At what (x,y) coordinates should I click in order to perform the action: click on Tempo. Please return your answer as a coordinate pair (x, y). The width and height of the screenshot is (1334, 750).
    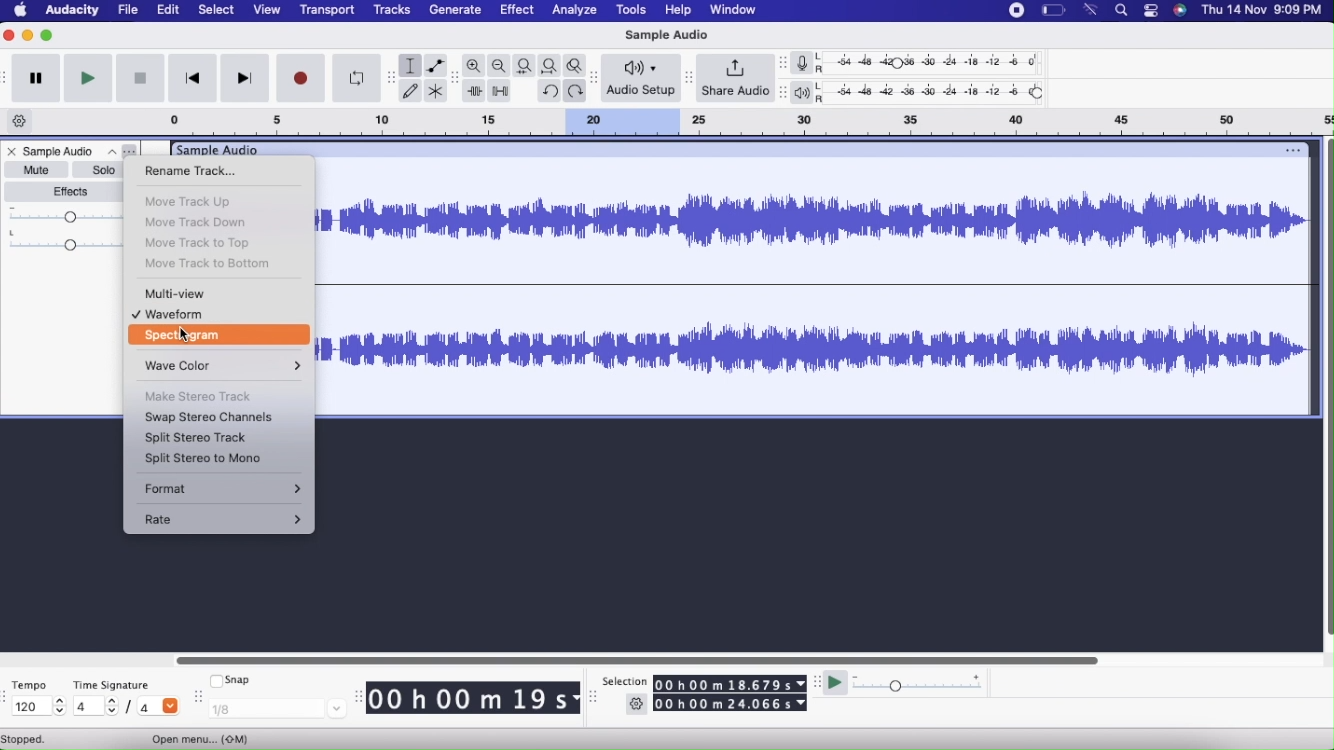
    Looking at the image, I should click on (30, 683).